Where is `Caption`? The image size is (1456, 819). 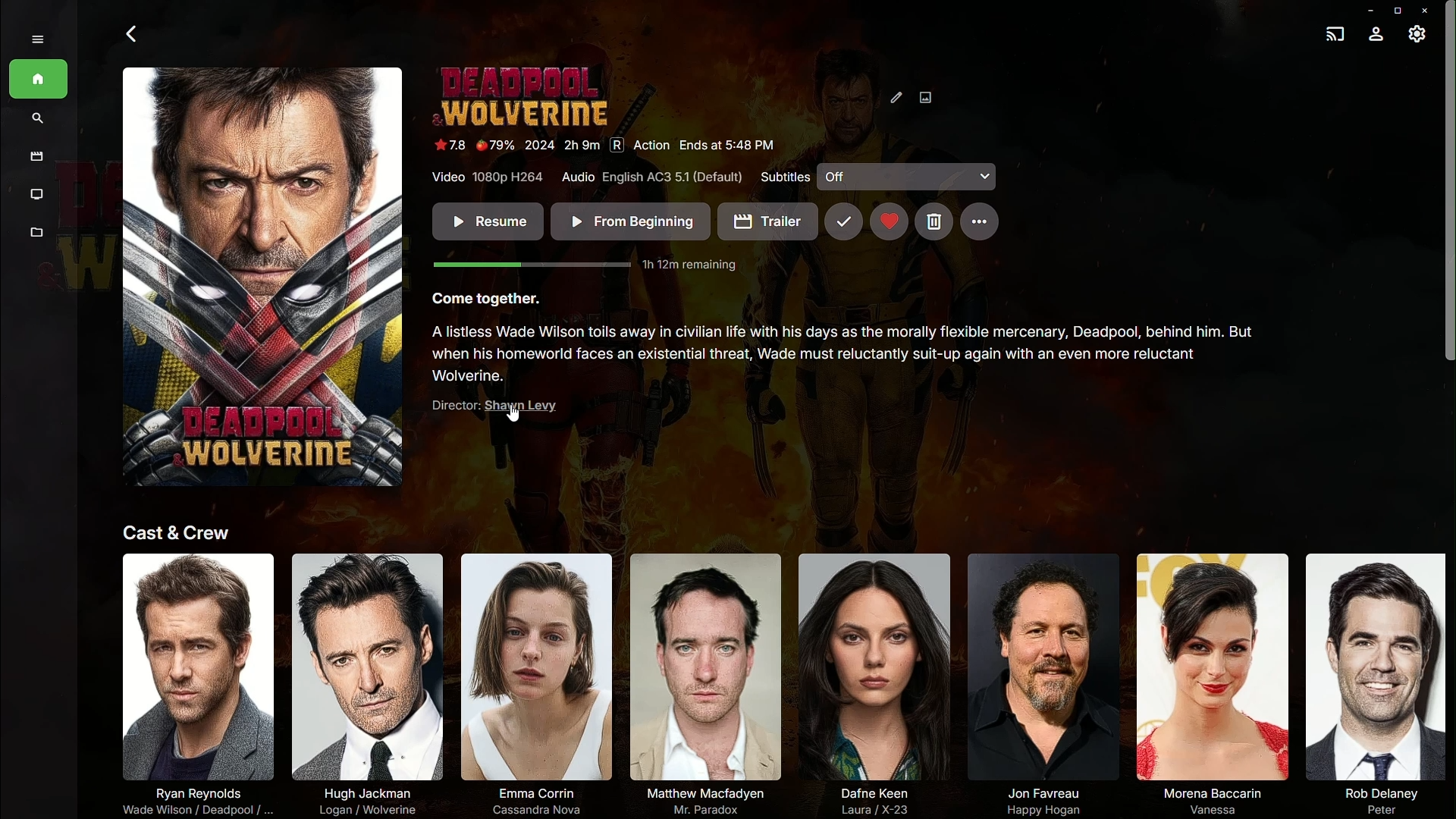 Caption is located at coordinates (488, 303).